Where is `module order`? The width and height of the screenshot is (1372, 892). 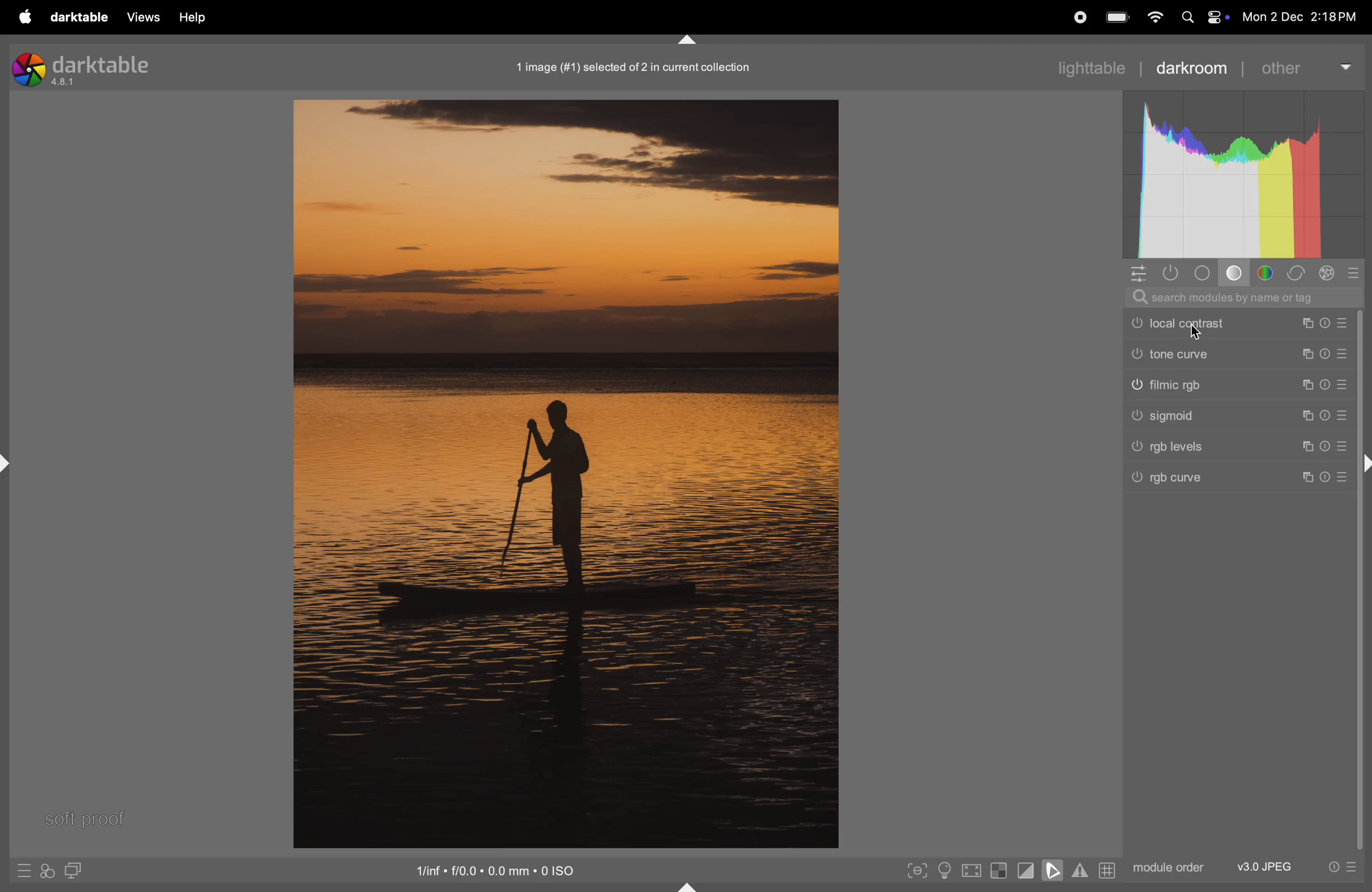
module order is located at coordinates (1166, 867).